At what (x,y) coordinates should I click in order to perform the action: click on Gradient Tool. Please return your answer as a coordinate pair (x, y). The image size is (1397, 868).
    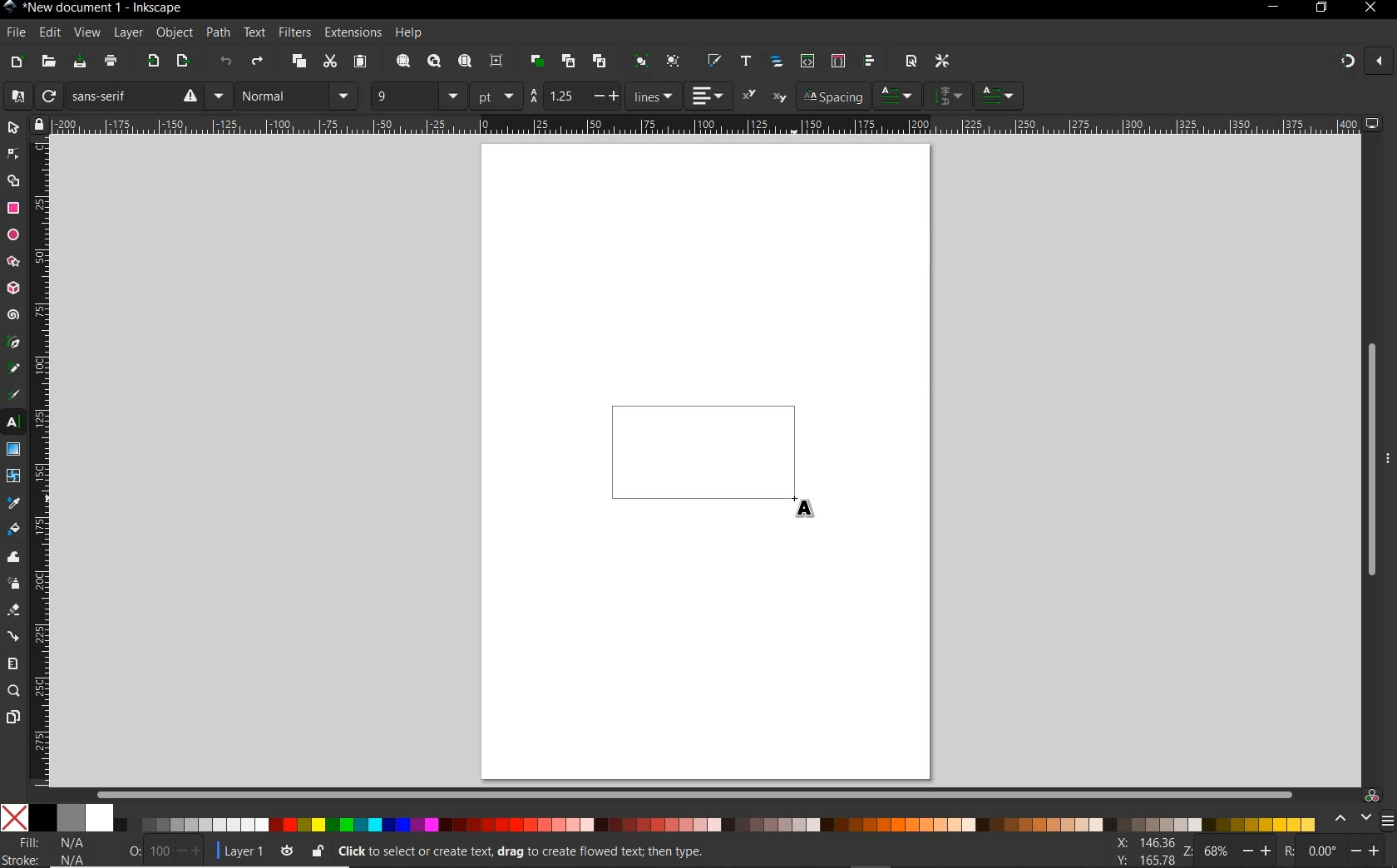
    Looking at the image, I should click on (13, 450).